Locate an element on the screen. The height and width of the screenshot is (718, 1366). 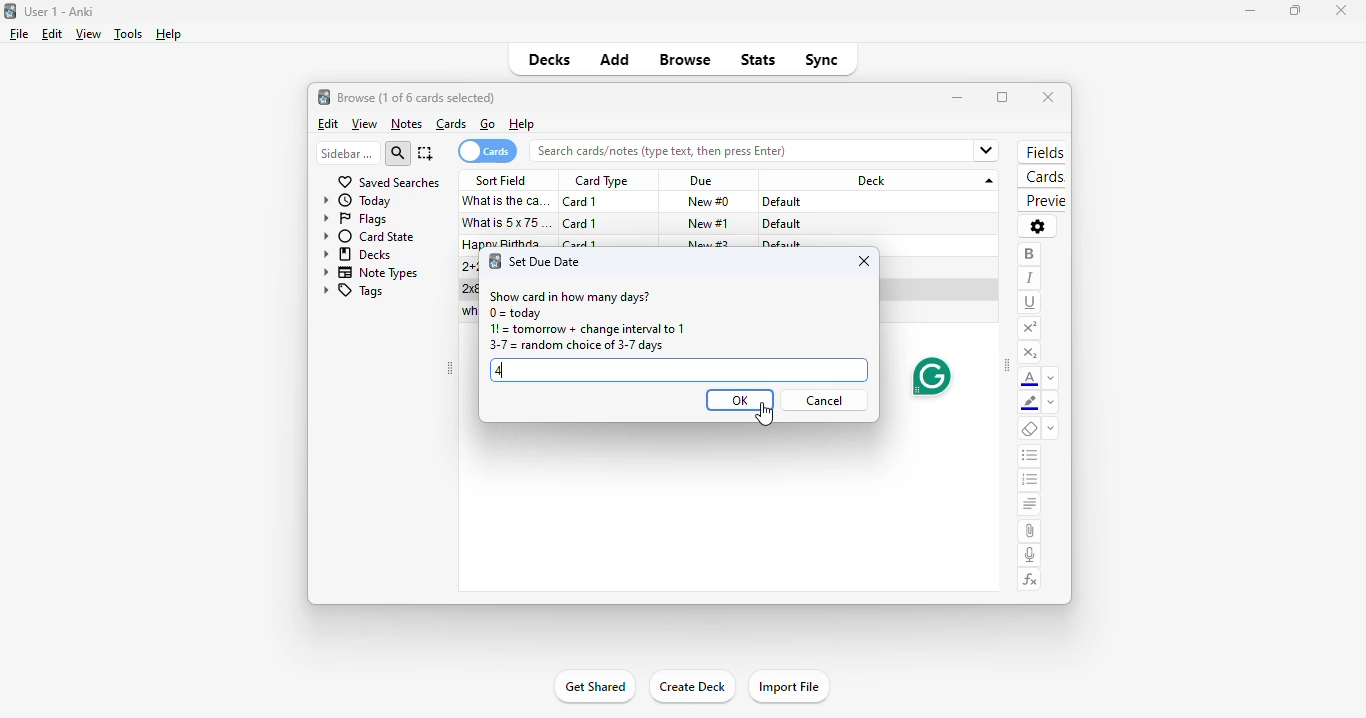
create deck is located at coordinates (692, 687).